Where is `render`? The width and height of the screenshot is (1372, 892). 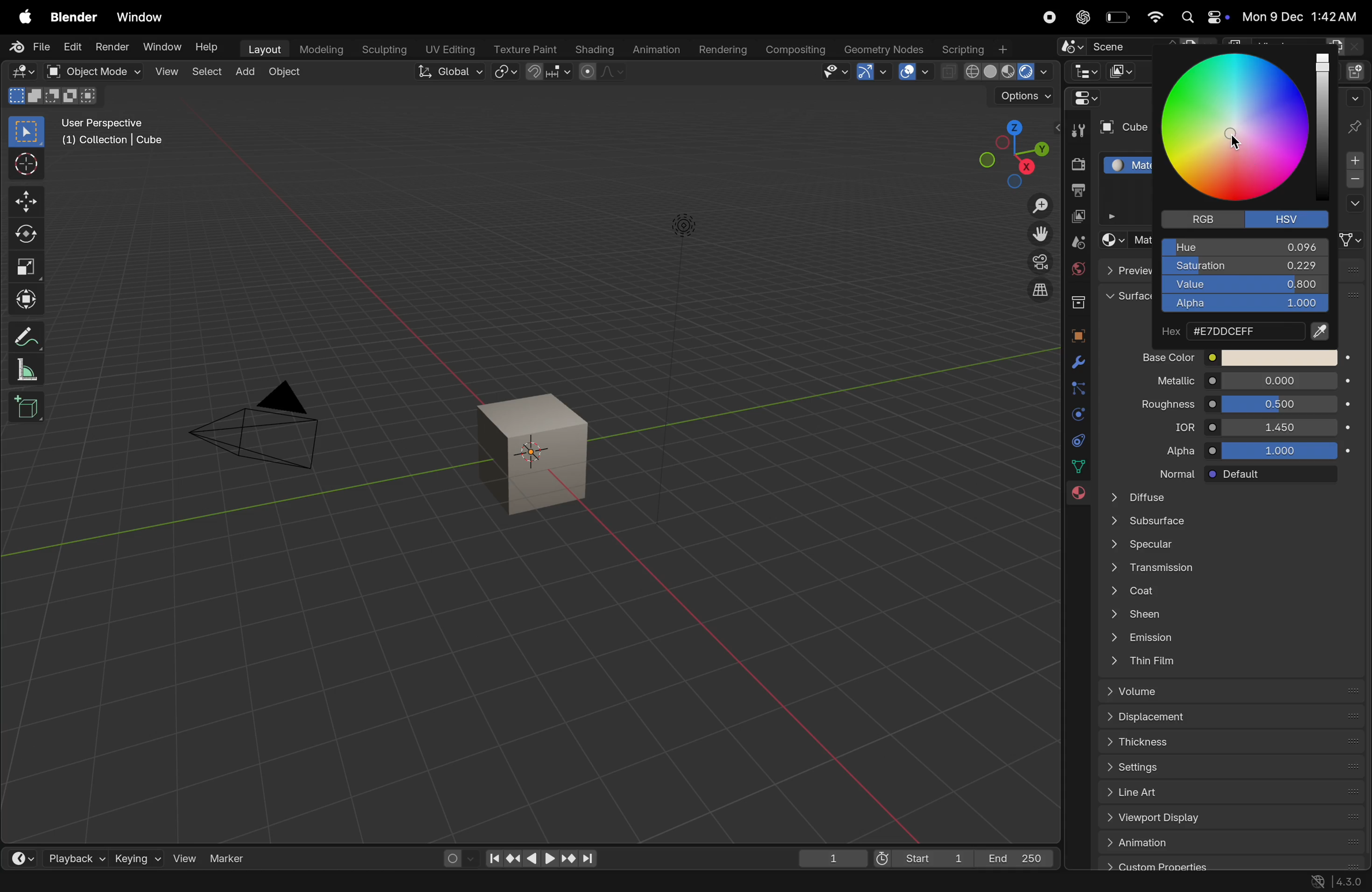 render is located at coordinates (1075, 165).